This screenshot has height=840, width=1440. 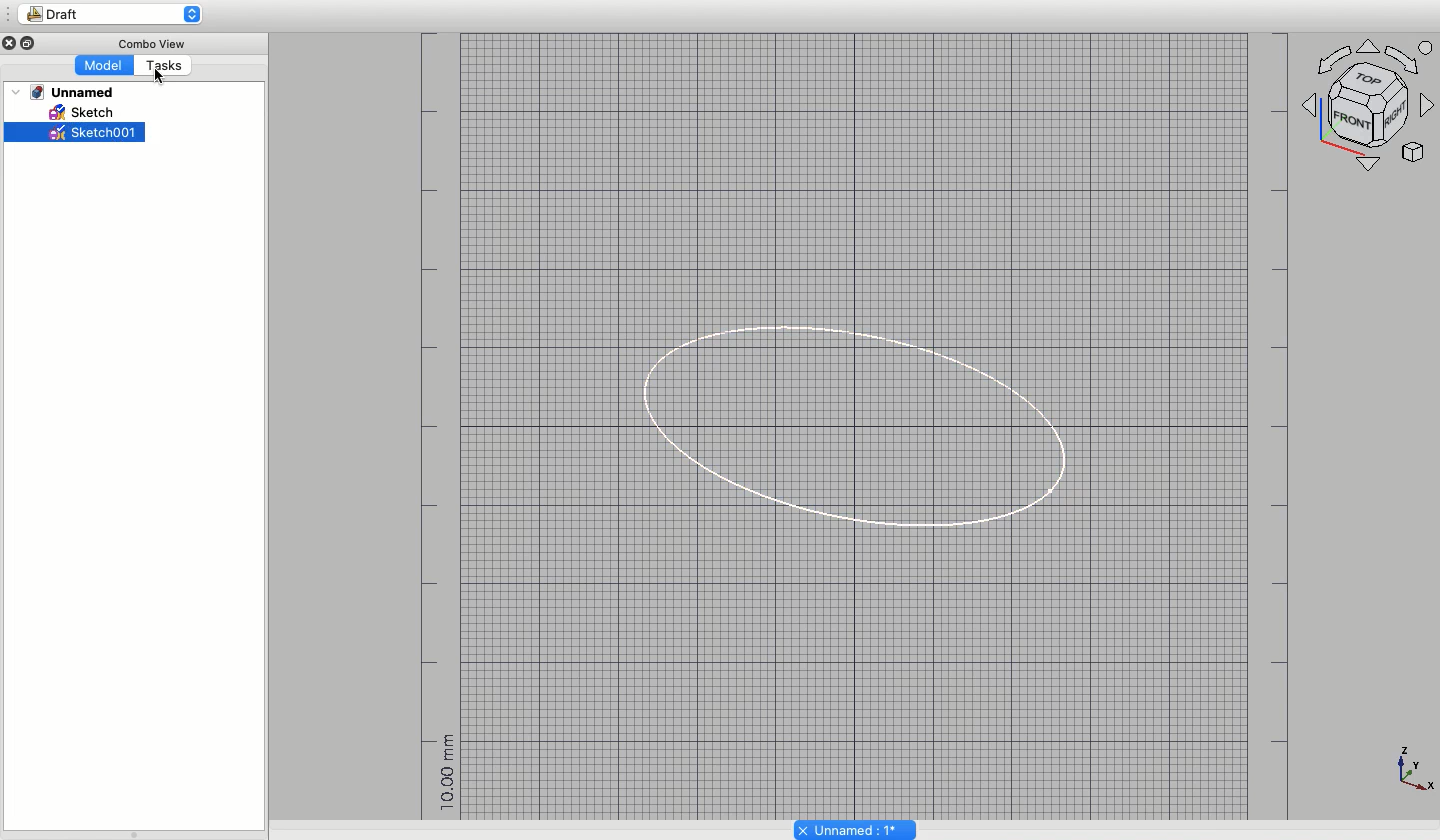 What do you see at coordinates (9, 43) in the screenshot?
I see `close` at bounding box center [9, 43].